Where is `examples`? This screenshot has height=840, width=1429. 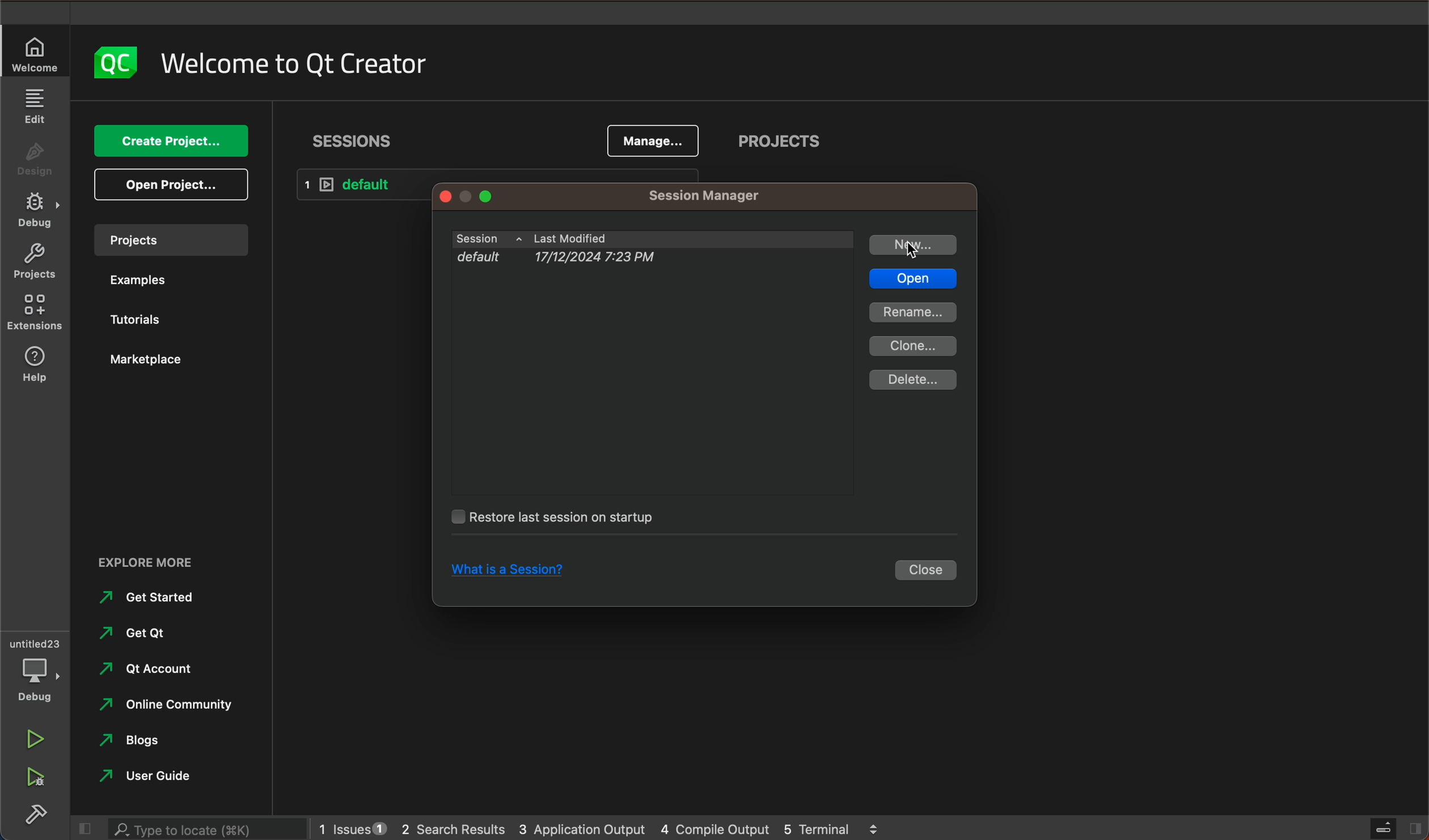
examples is located at coordinates (137, 283).